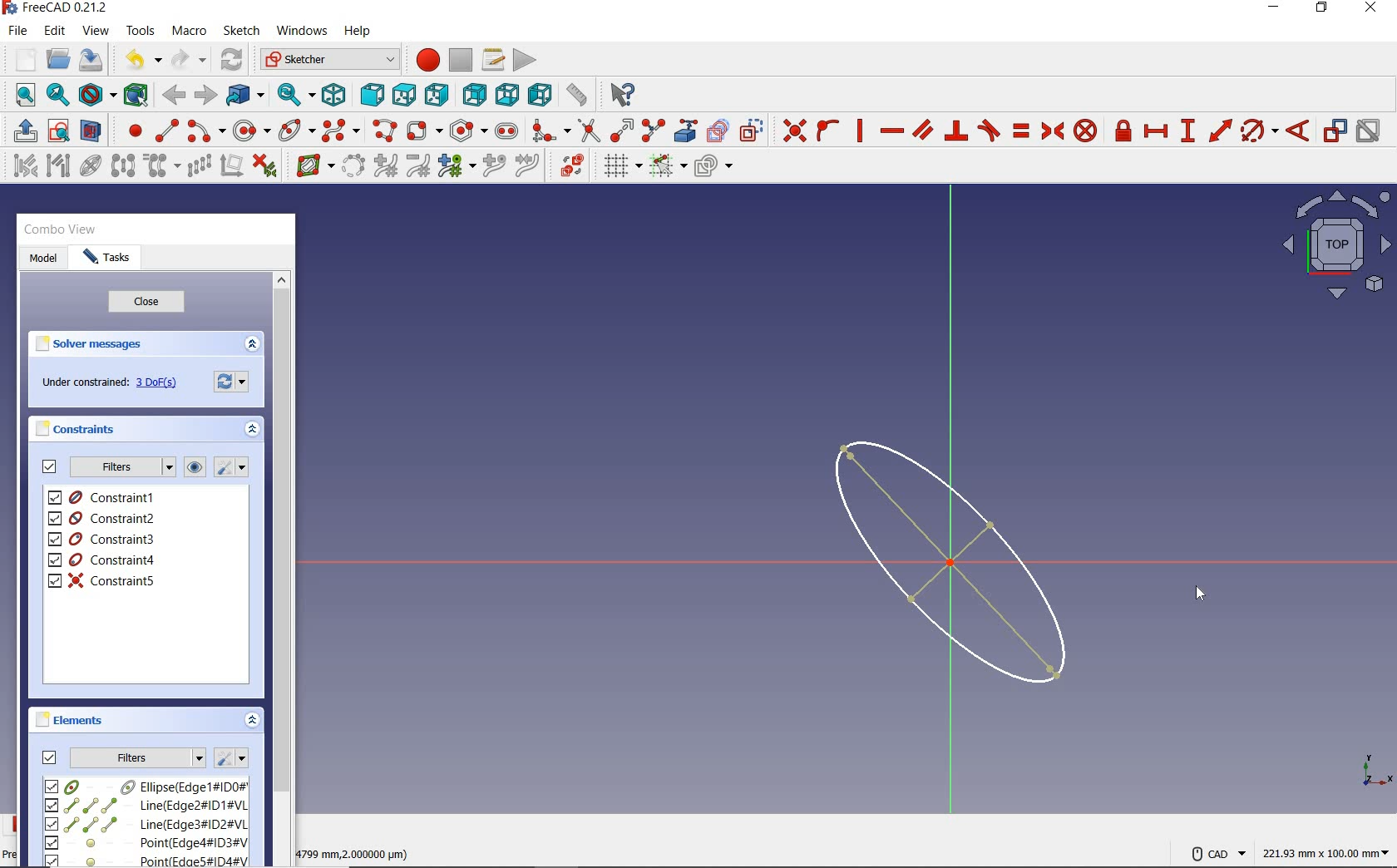 The image size is (1397, 868). I want to click on show/hide internal geometry, so click(93, 165).